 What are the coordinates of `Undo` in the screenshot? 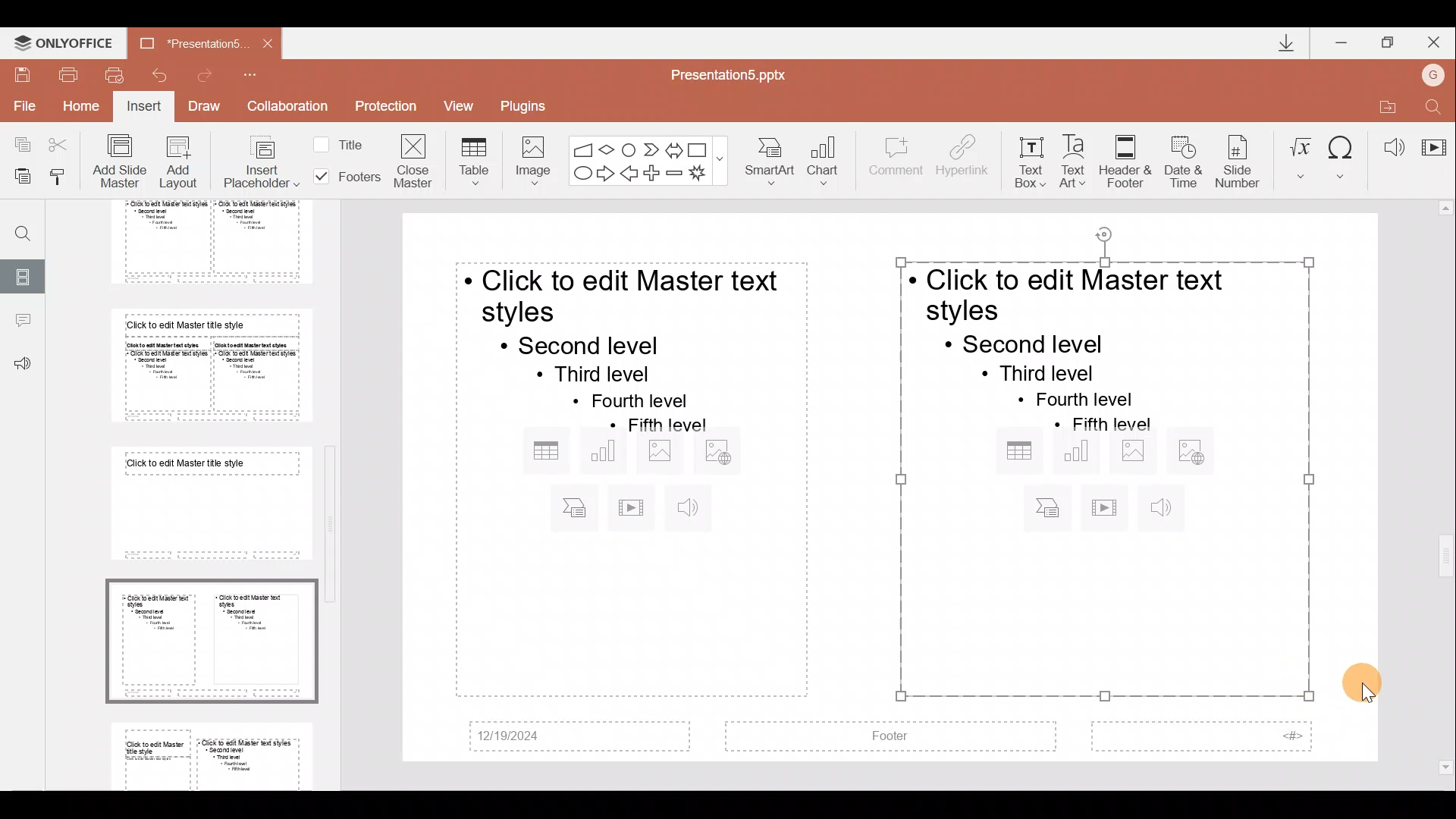 It's located at (158, 74).